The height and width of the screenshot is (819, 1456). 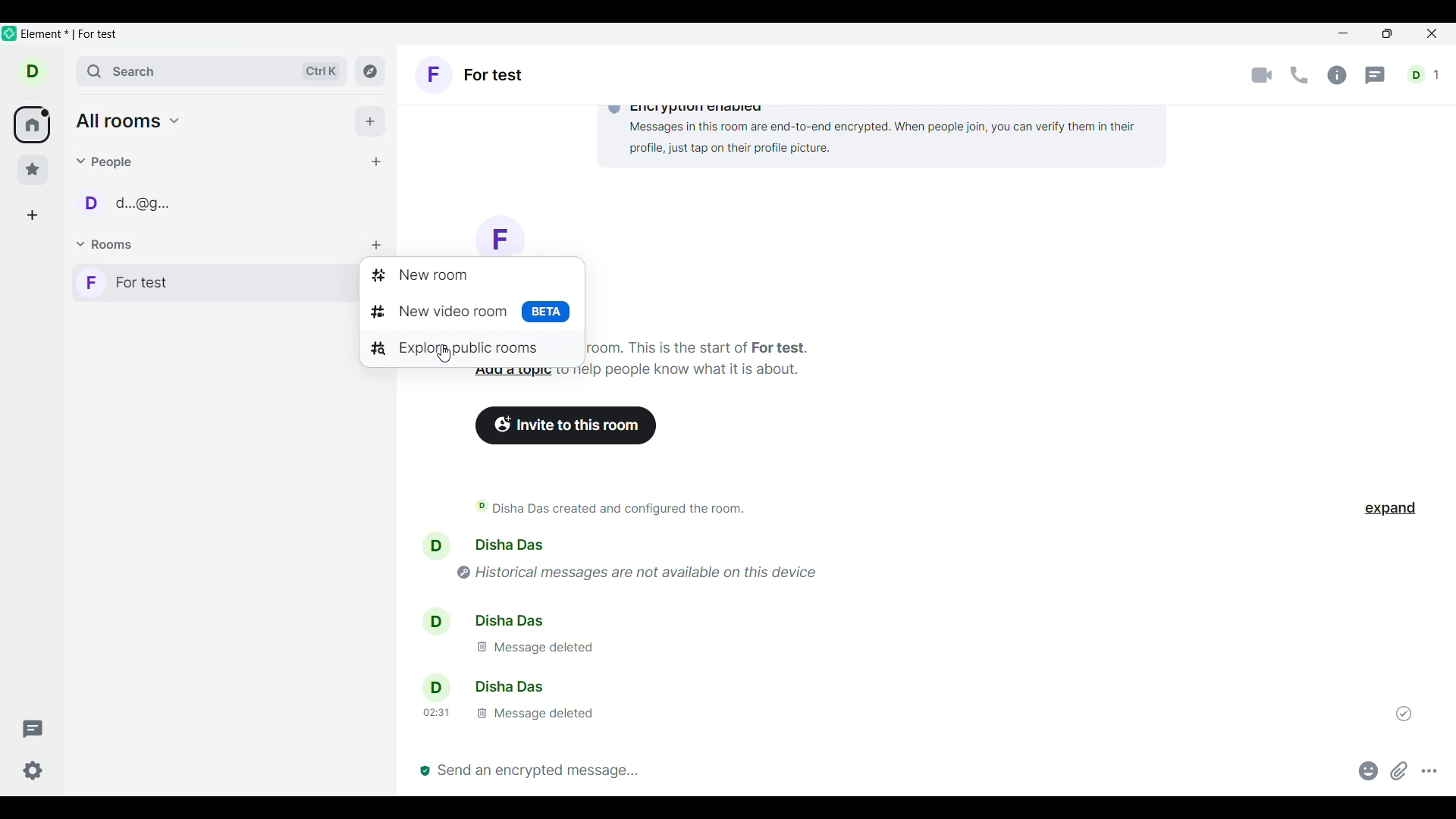 What do you see at coordinates (705, 347) in the screenshot?
I see `room. This is the start of For test.` at bounding box center [705, 347].